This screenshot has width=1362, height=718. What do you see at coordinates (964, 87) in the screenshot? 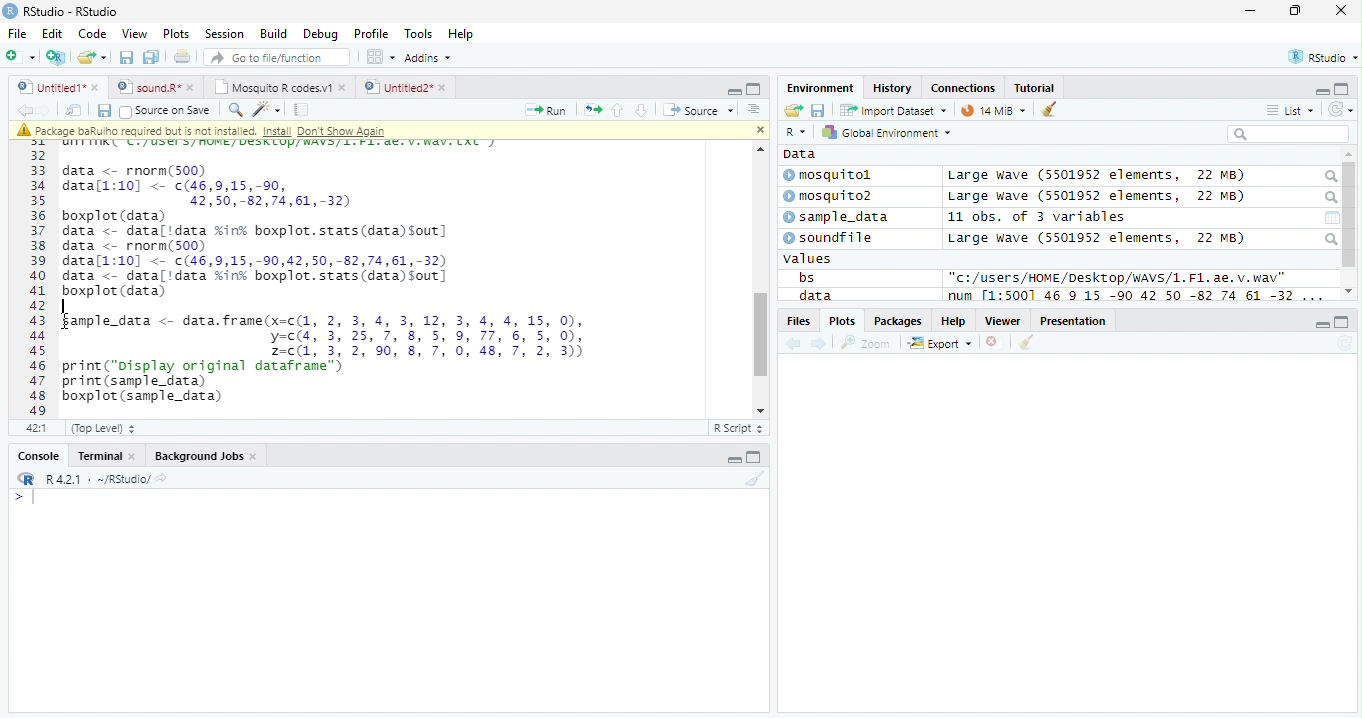
I see `Connections` at bounding box center [964, 87].